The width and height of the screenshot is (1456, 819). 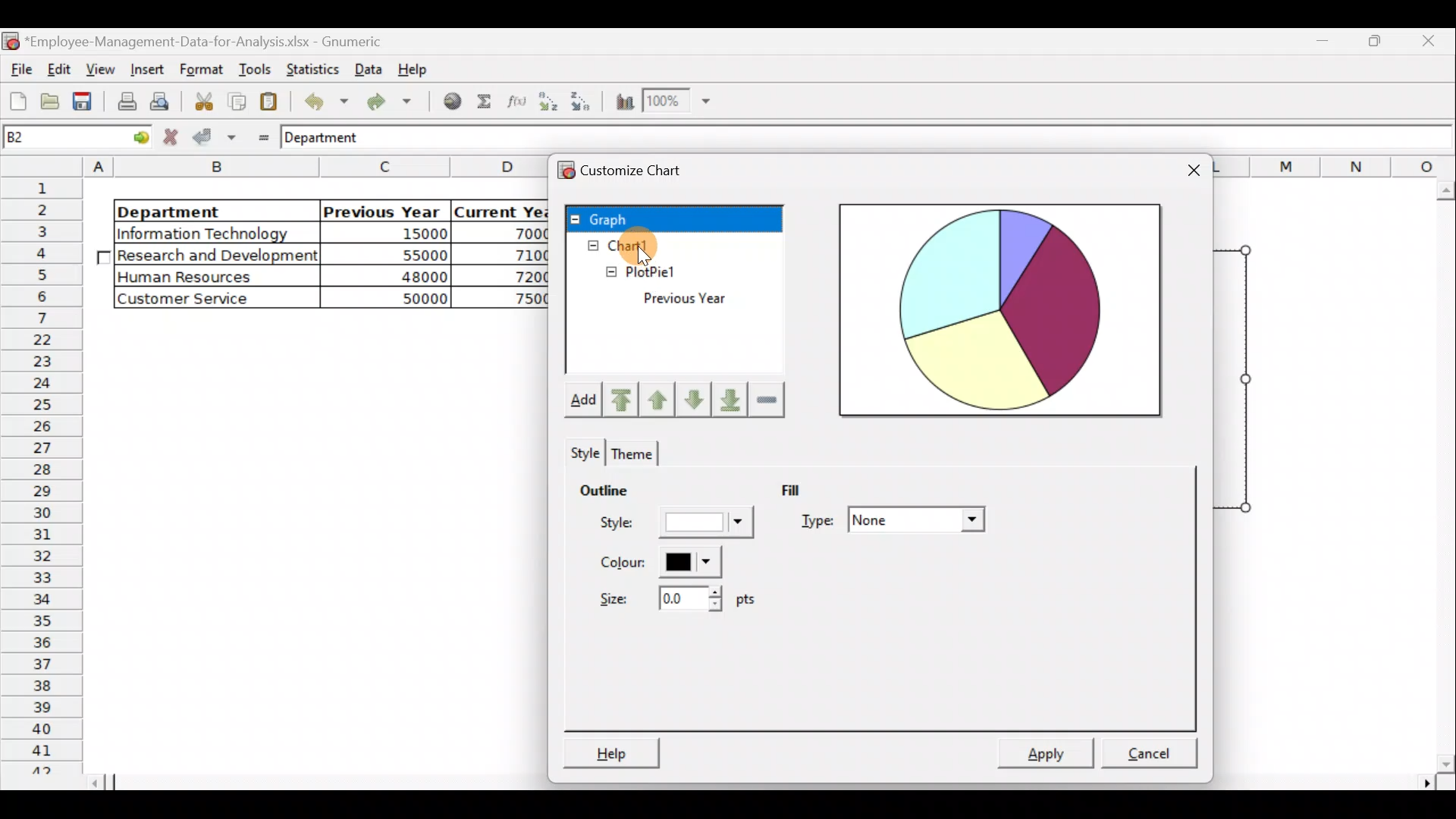 I want to click on Help, so click(x=611, y=750).